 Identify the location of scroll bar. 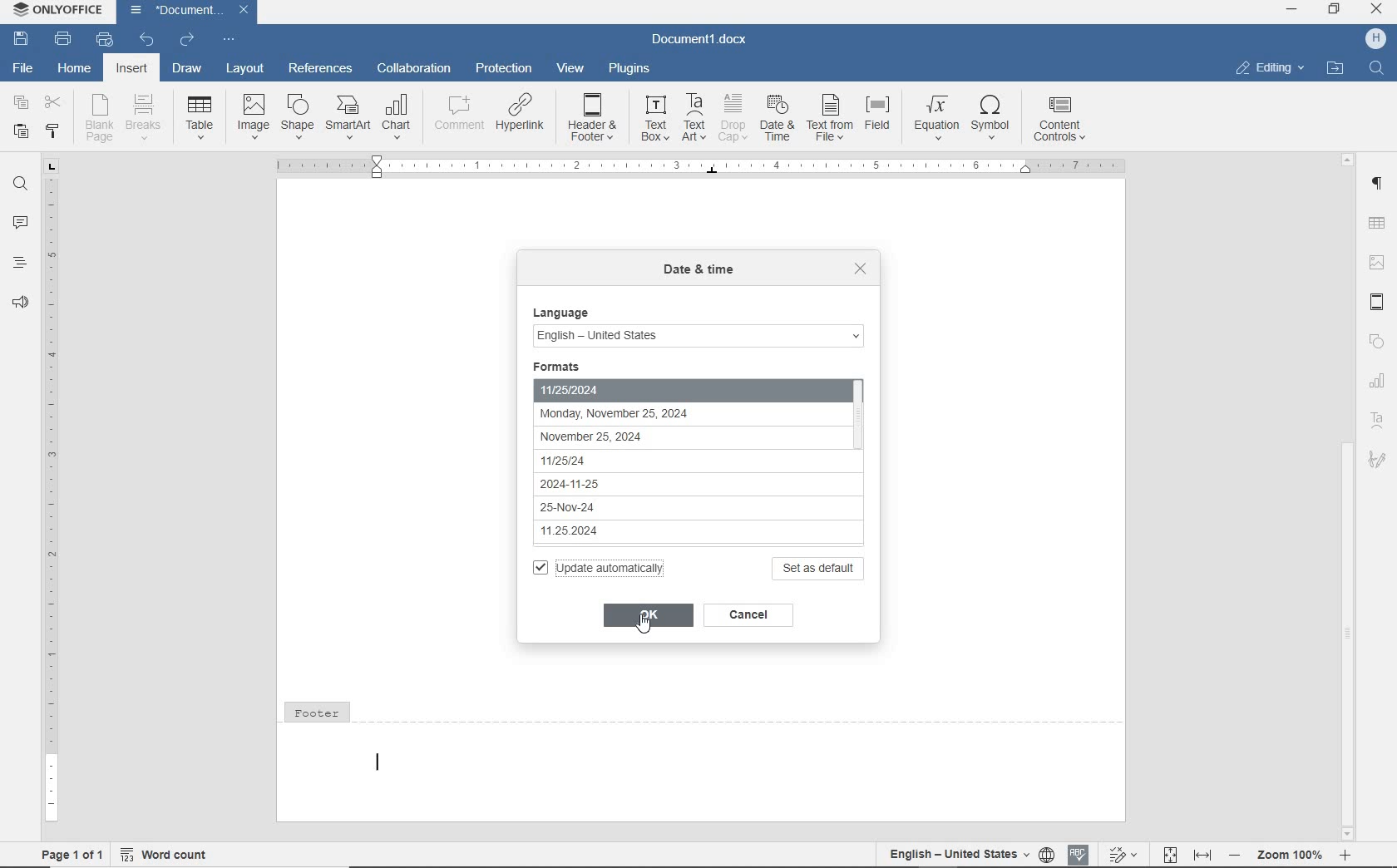
(868, 456).